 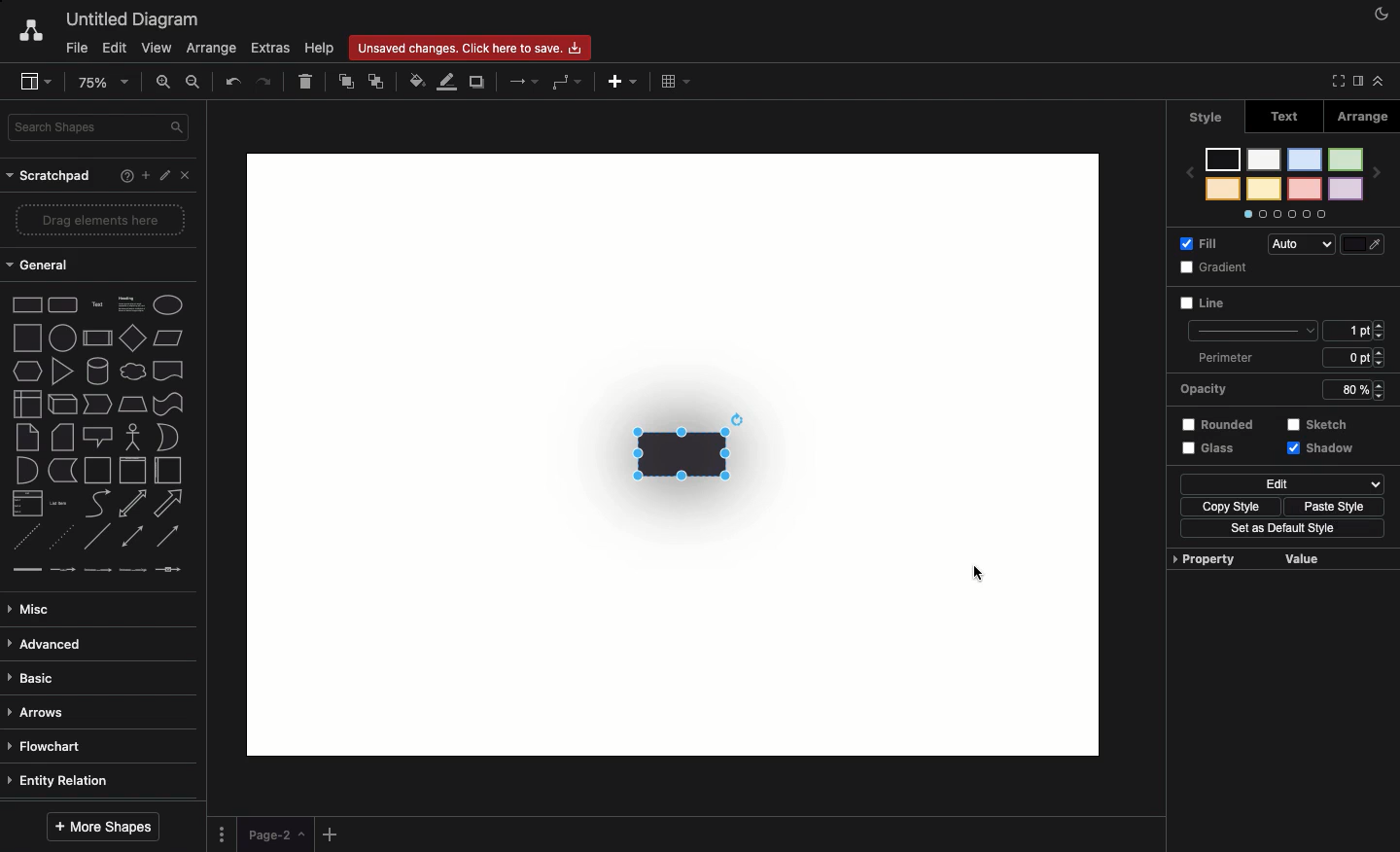 I want to click on Options, so click(x=224, y=835).